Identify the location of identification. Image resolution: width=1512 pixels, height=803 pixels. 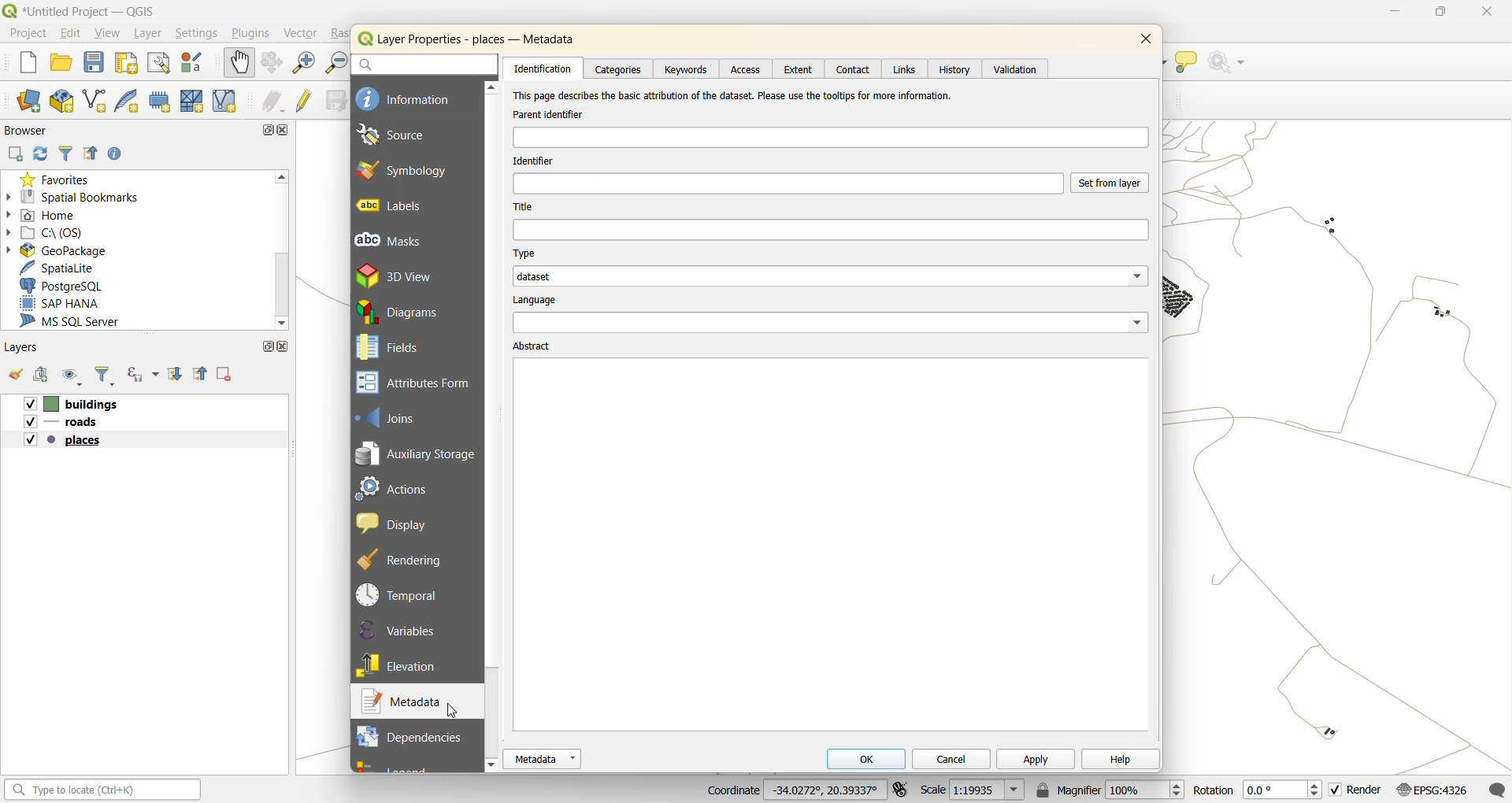
(547, 69).